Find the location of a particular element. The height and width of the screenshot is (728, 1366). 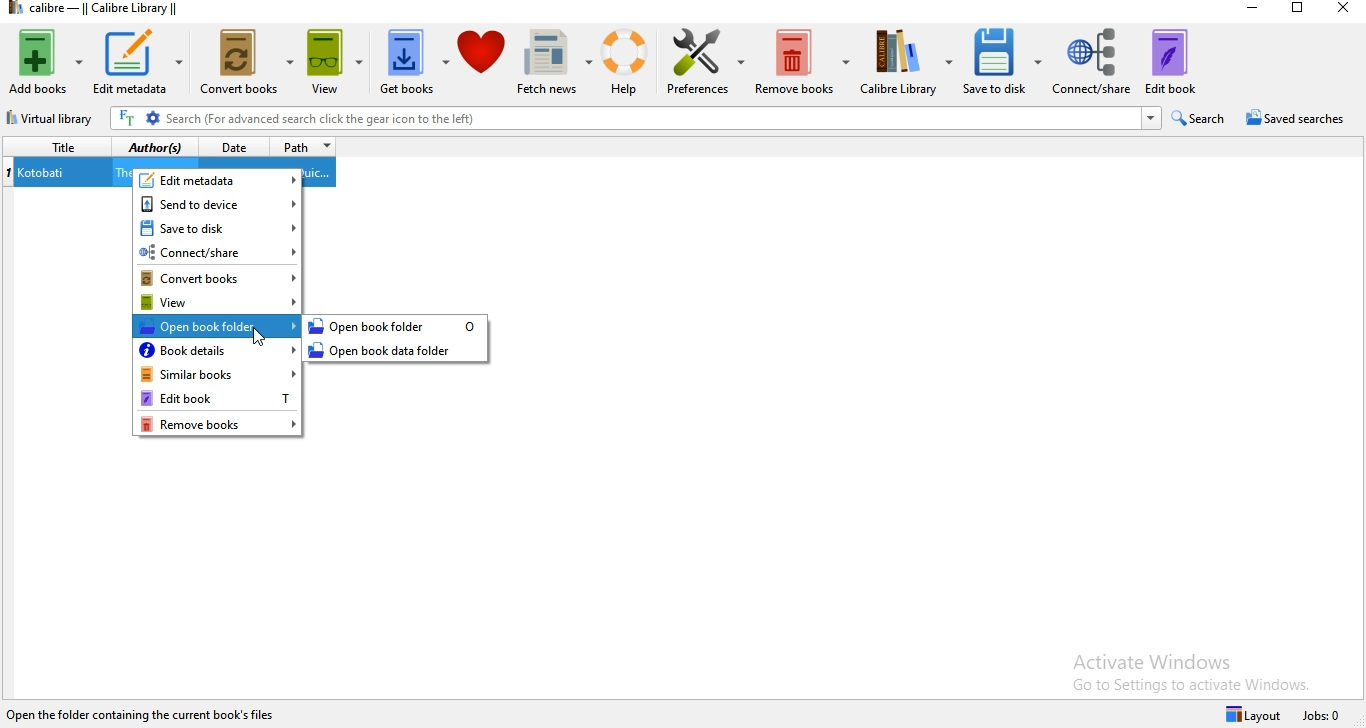

convert books is located at coordinates (218, 277).